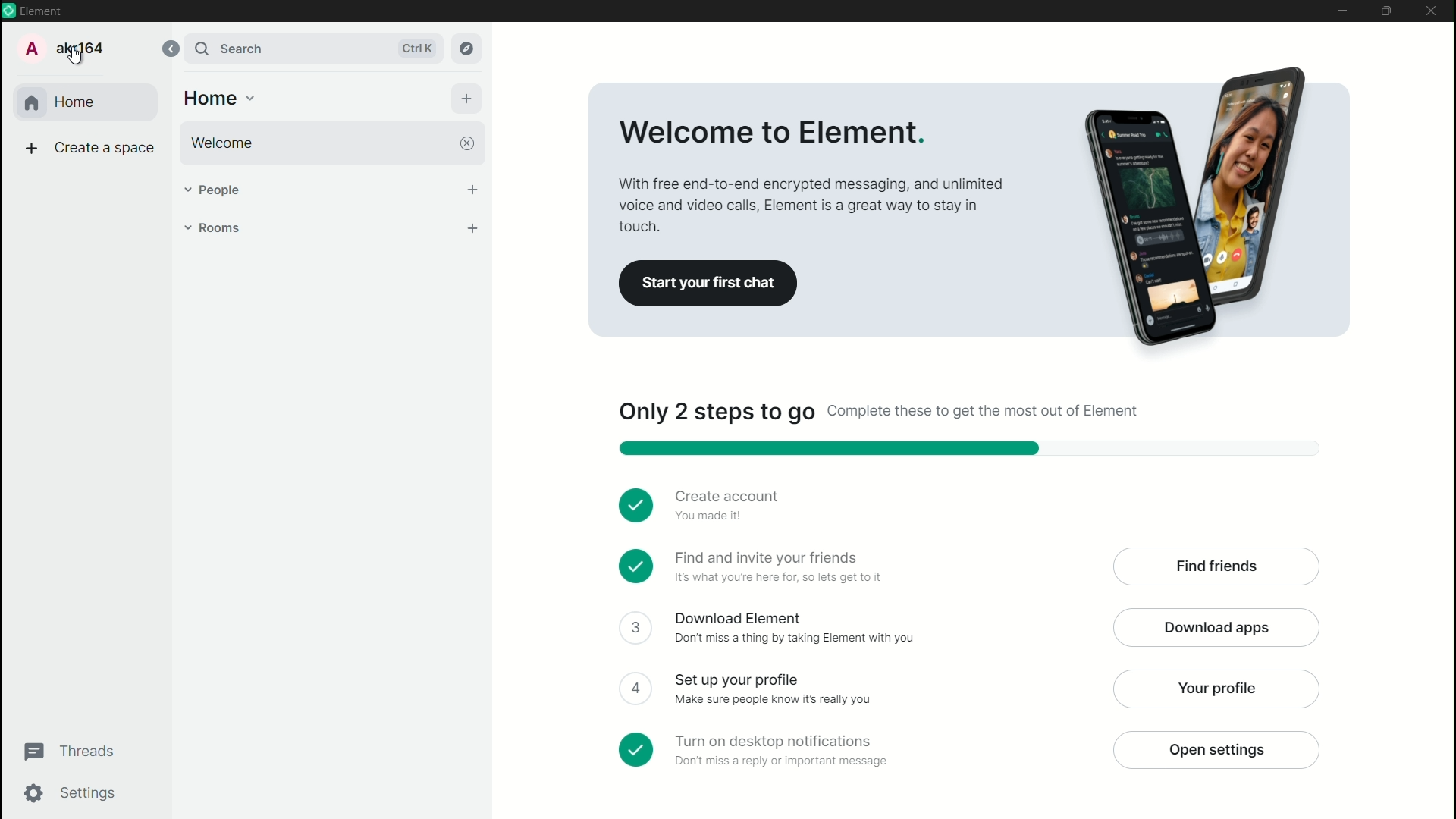  What do you see at coordinates (9, 11) in the screenshot?
I see `app icon` at bounding box center [9, 11].